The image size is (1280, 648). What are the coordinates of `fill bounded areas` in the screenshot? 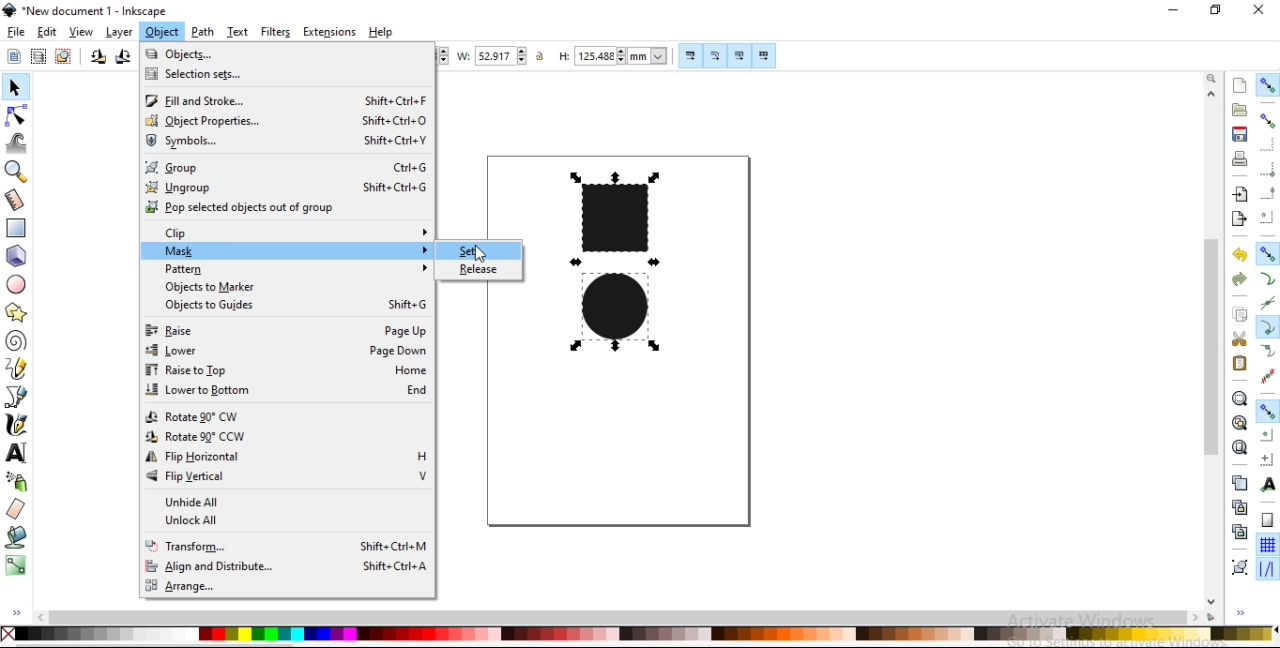 It's located at (17, 538).